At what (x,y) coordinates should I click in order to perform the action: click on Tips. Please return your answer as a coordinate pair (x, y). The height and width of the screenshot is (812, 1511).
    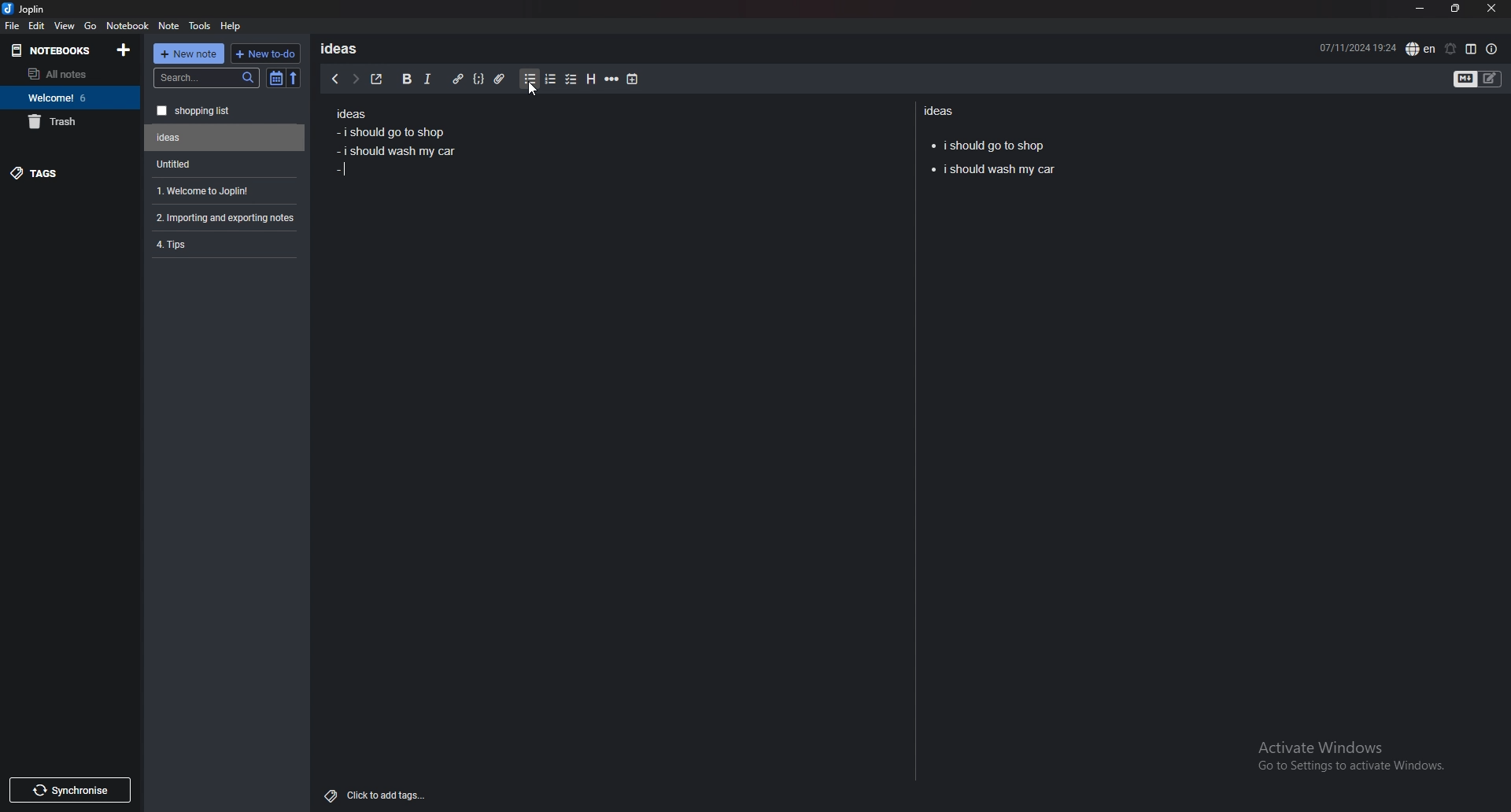
    Looking at the image, I should click on (224, 243).